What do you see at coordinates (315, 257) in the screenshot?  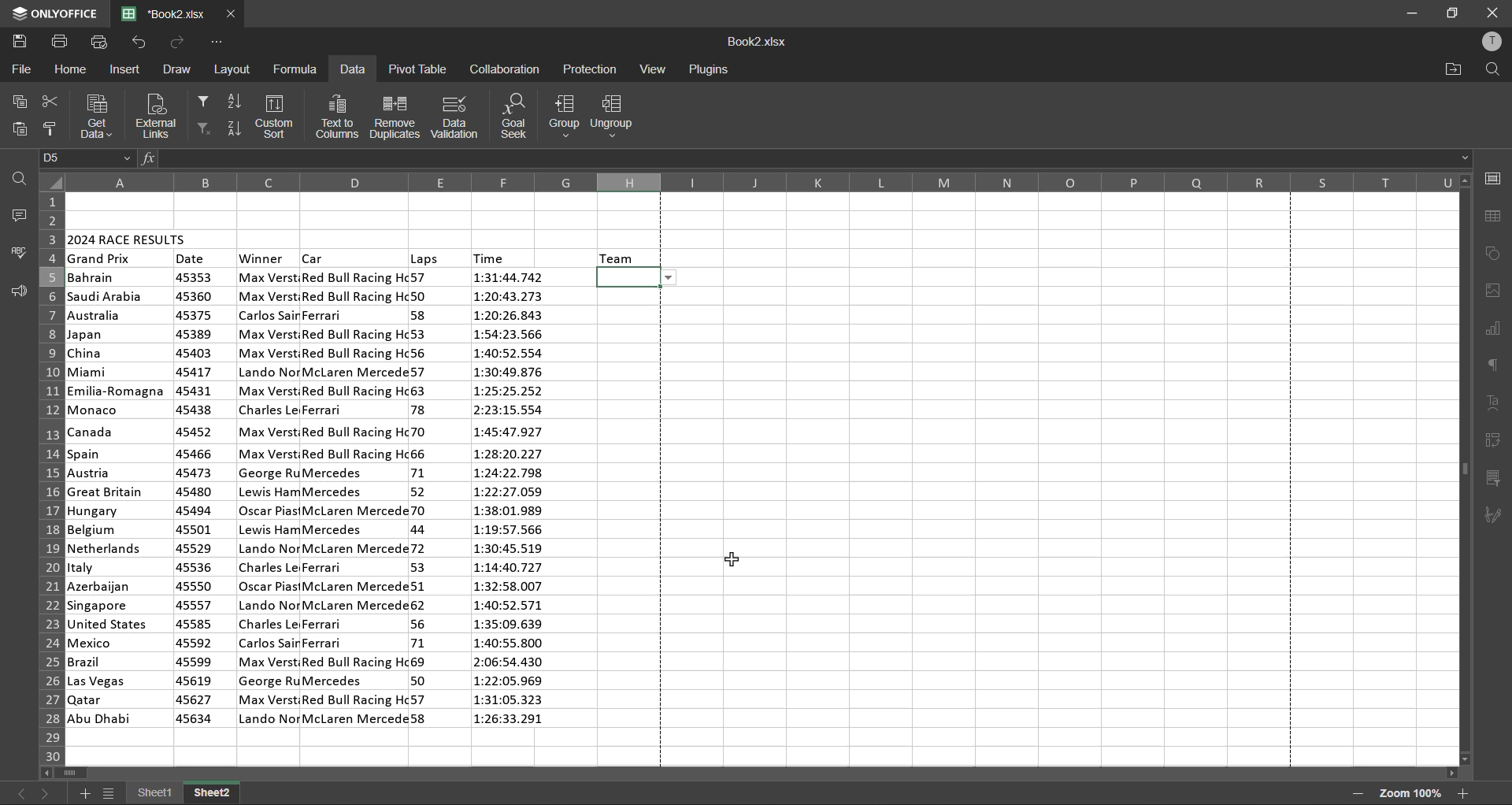 I see `car` at bounding box center [315, 257].